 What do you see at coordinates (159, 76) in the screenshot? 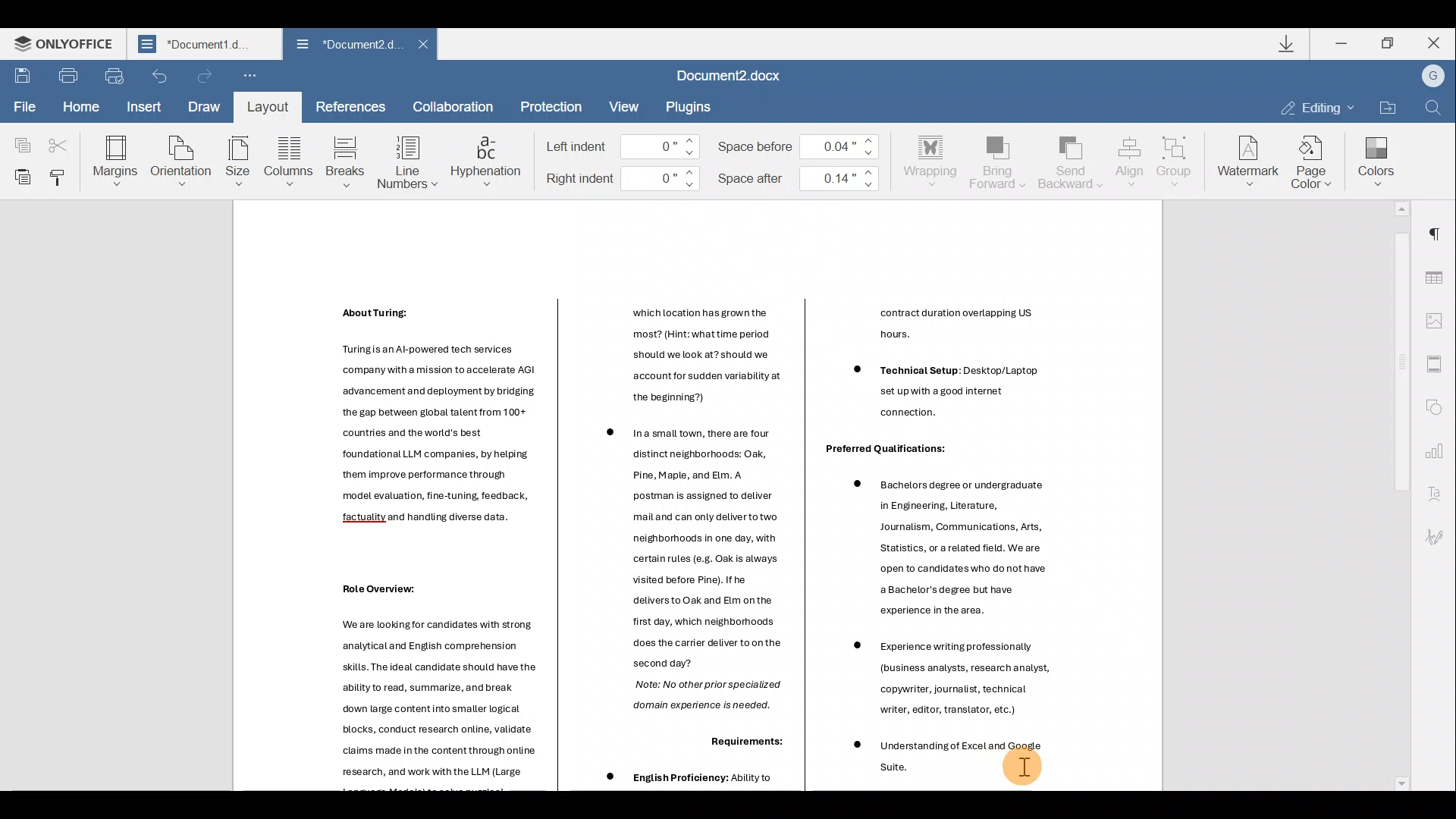
I see `Undo` at bounding box center [159, 76].